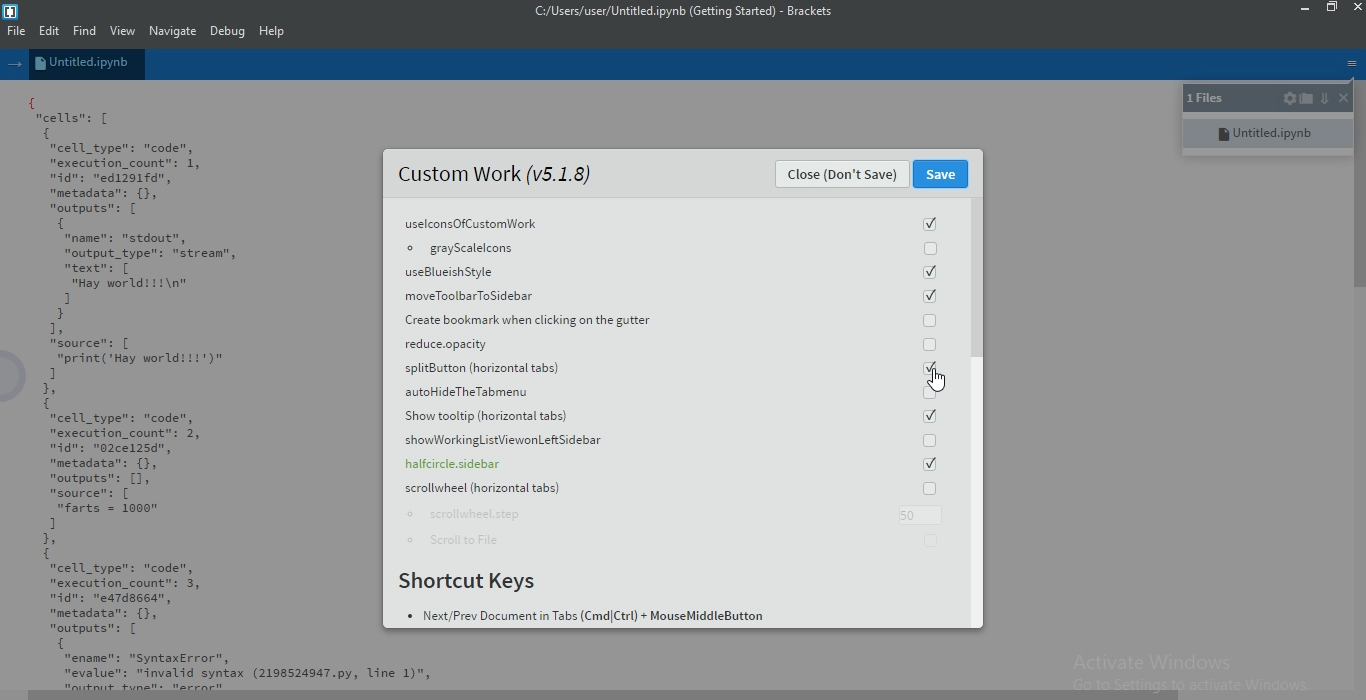  Describe the element at coordinates (837, 175) in the screenshot. I see `Close (Don't Save) ` at that location.